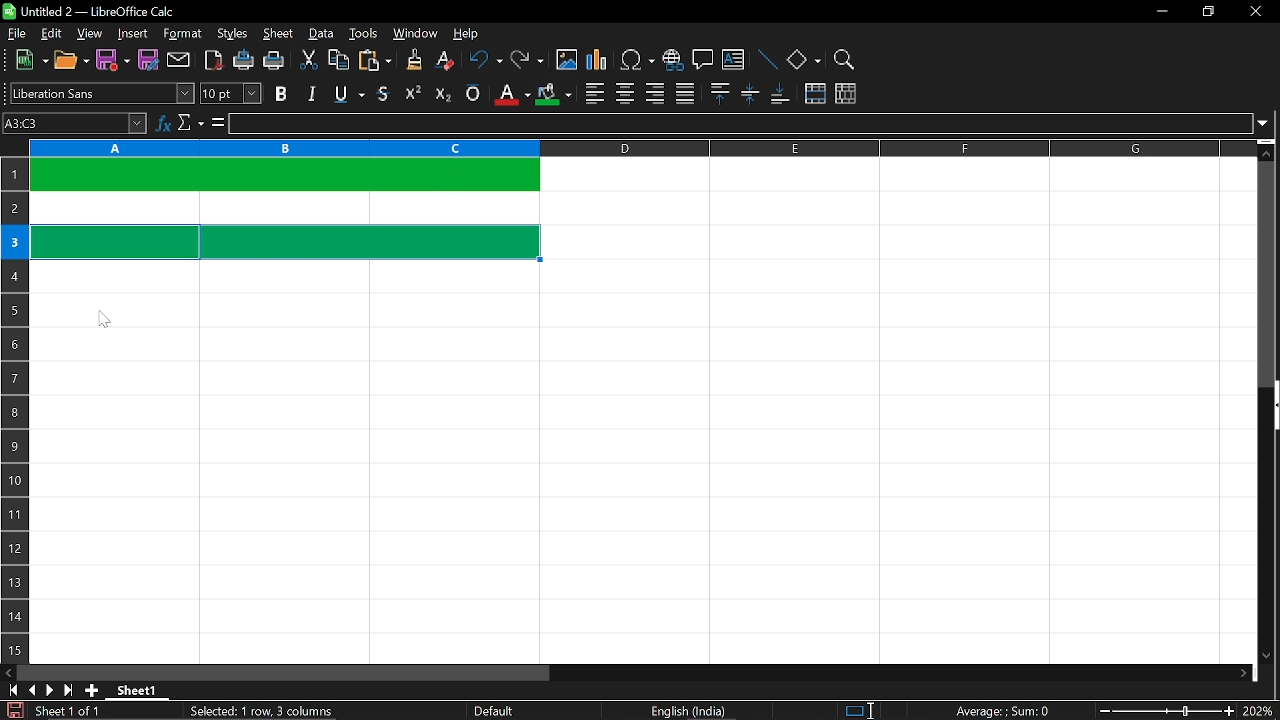 The height and width of the screenshot is (720, 1280). I want to click on align top, so click(719, 94).